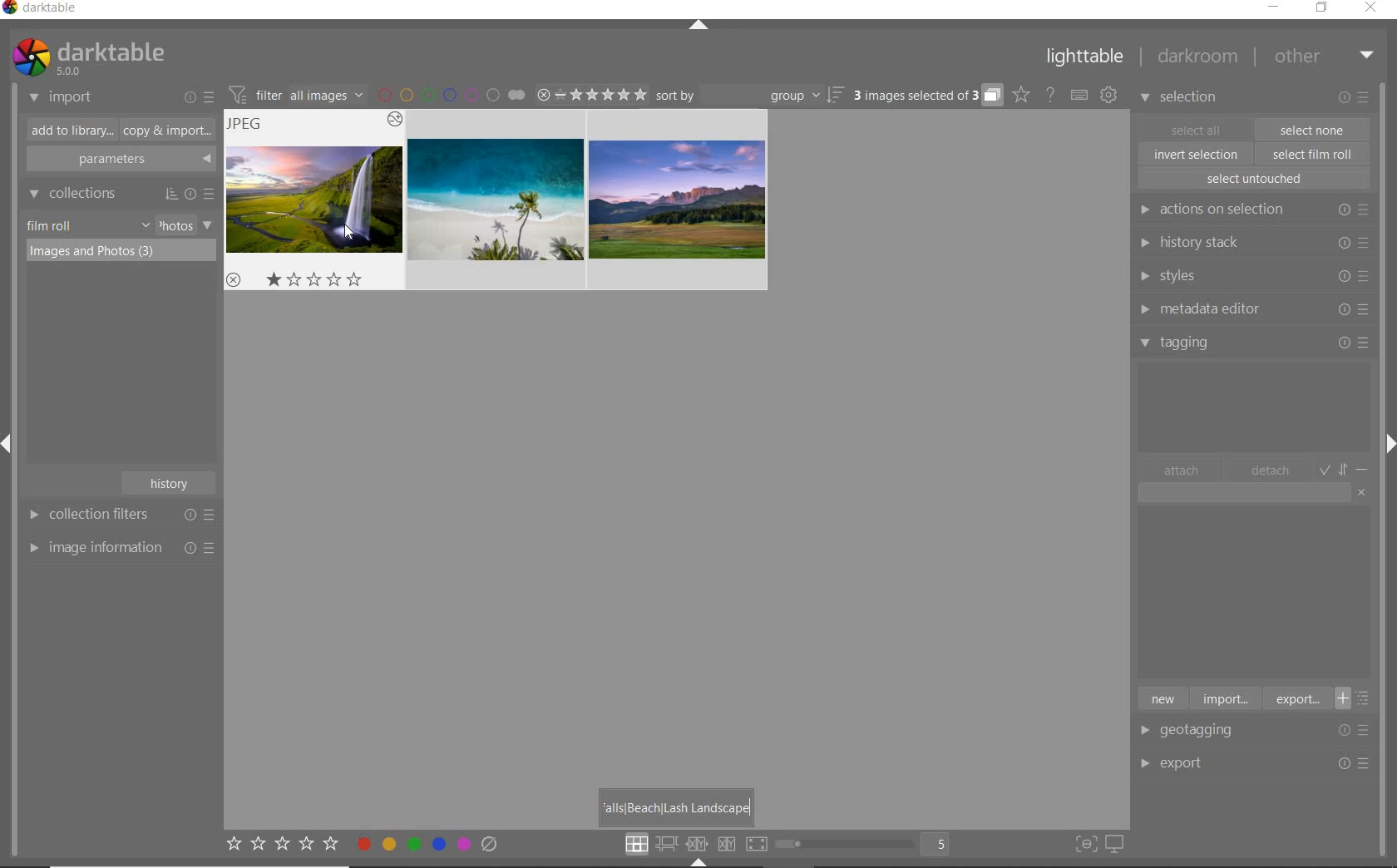 This screenshot has height=868, width=1397. I want to click on selection, so click(1181, 99).